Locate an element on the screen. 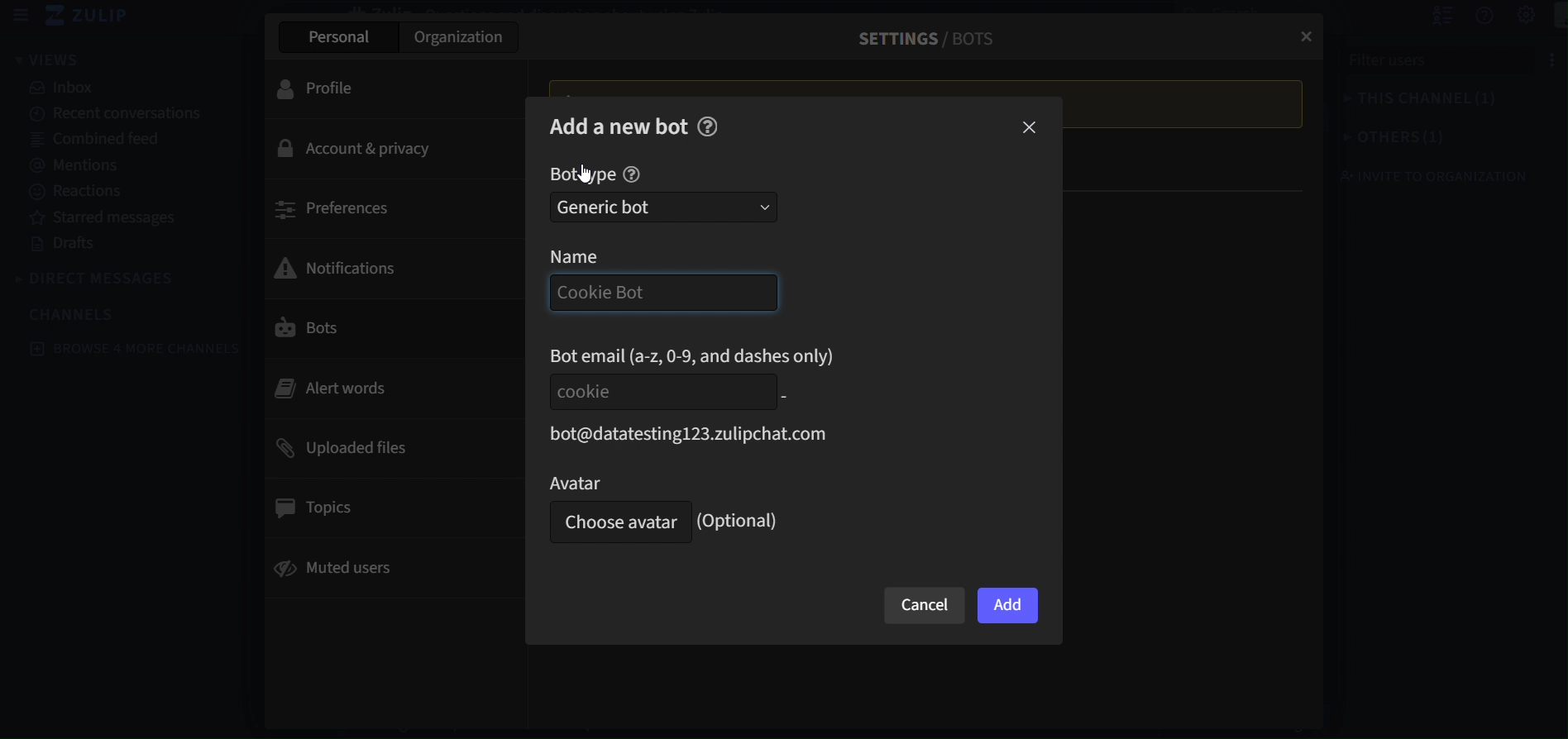 This screenshot has width=1568, height=739. bots is located at coordinates (385, 329).